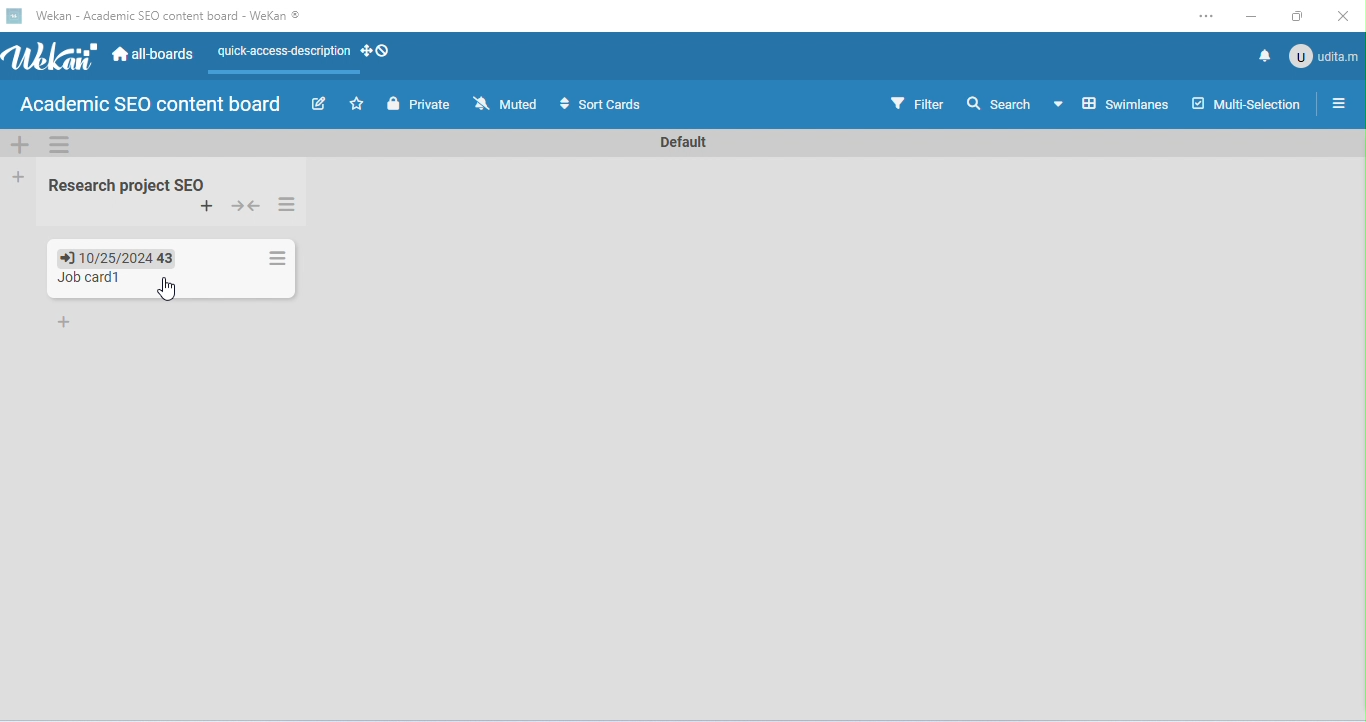 This screenshot has height=722, width=1366. Describe the element at coordinates (377, 51) in the screenshot. I see `how desktop drag handles` at that location.